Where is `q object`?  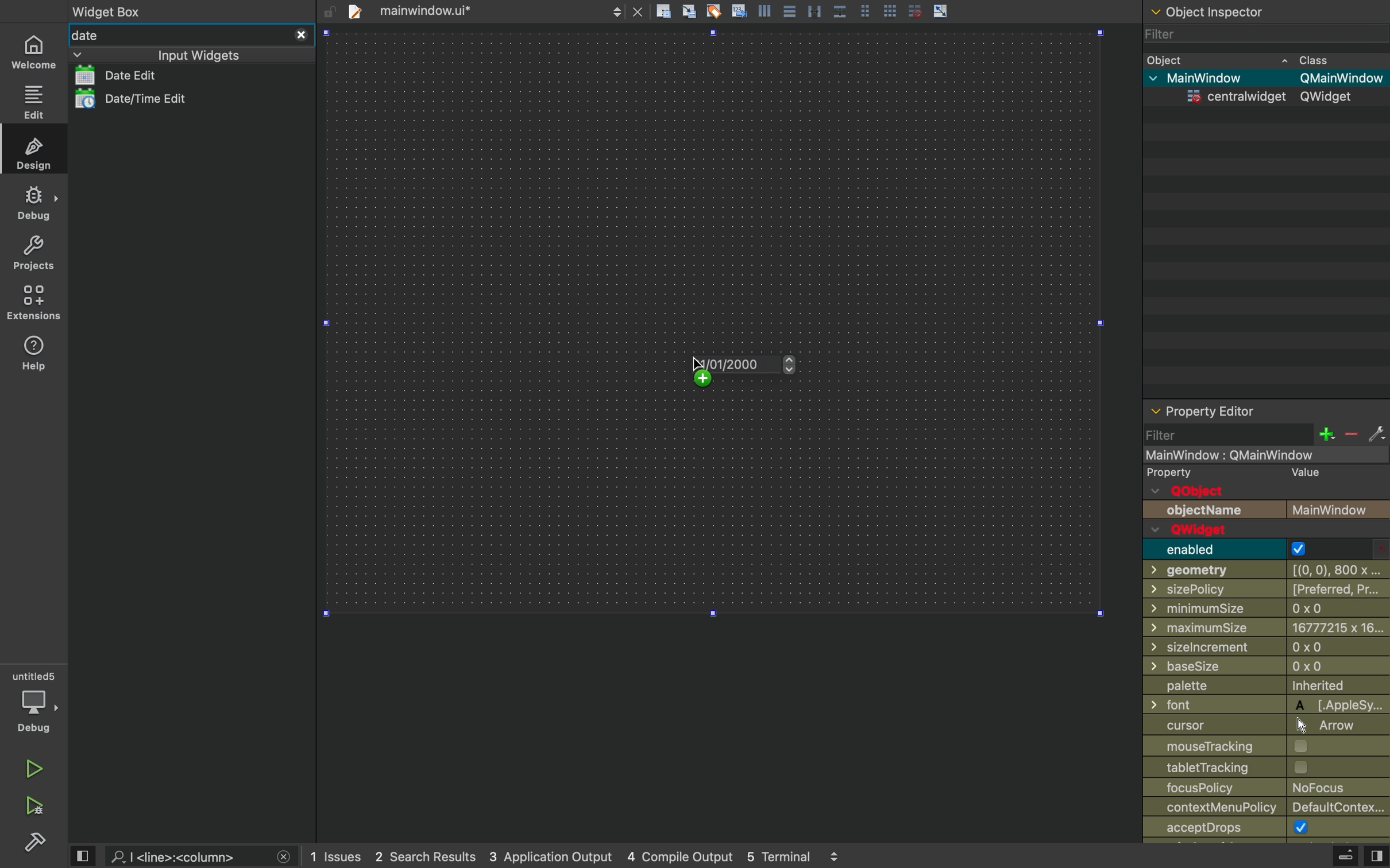 q object is located at coordinates (1196, 493).